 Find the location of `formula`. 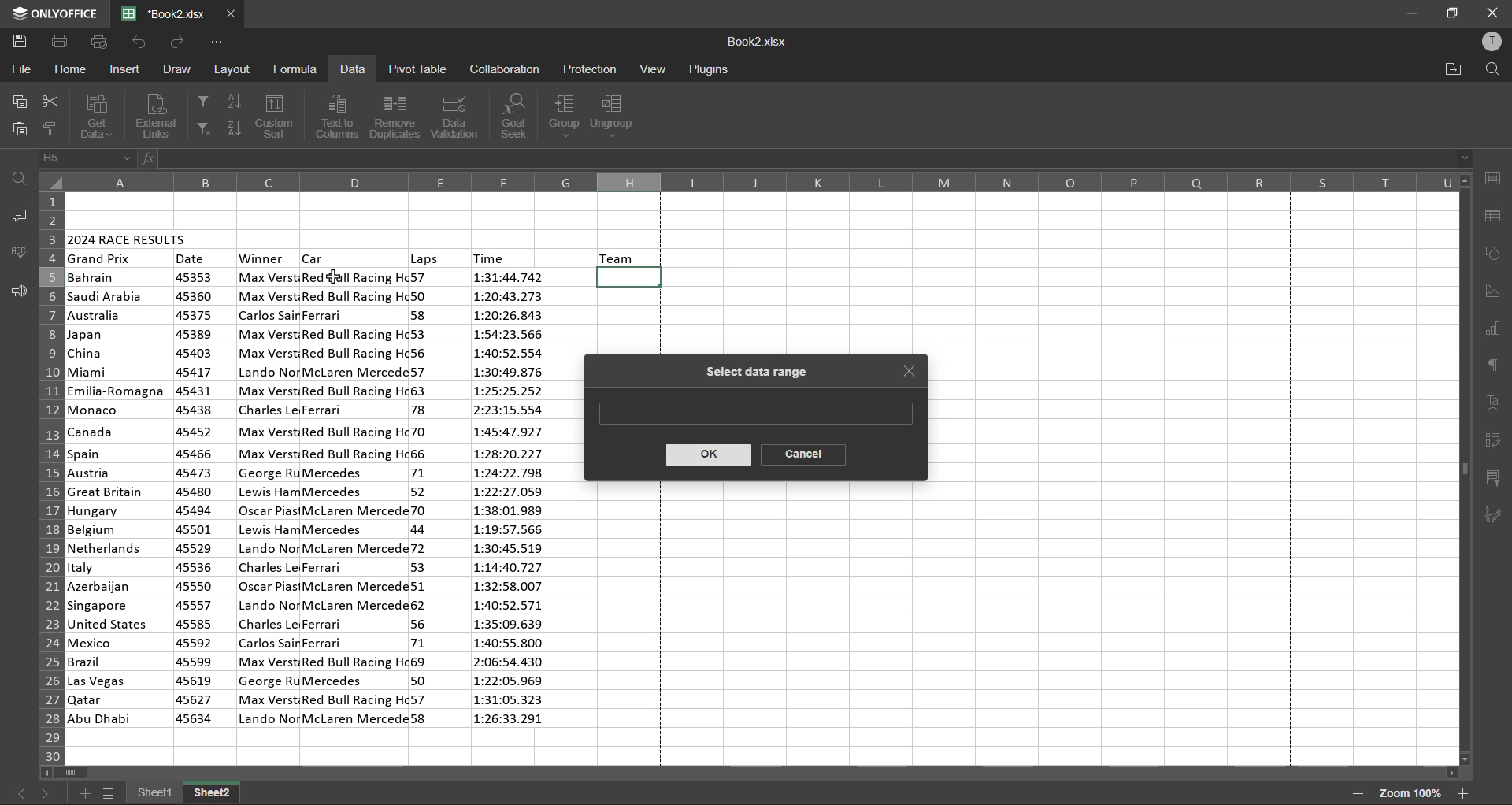

formula is located at coordinates (298, 68).